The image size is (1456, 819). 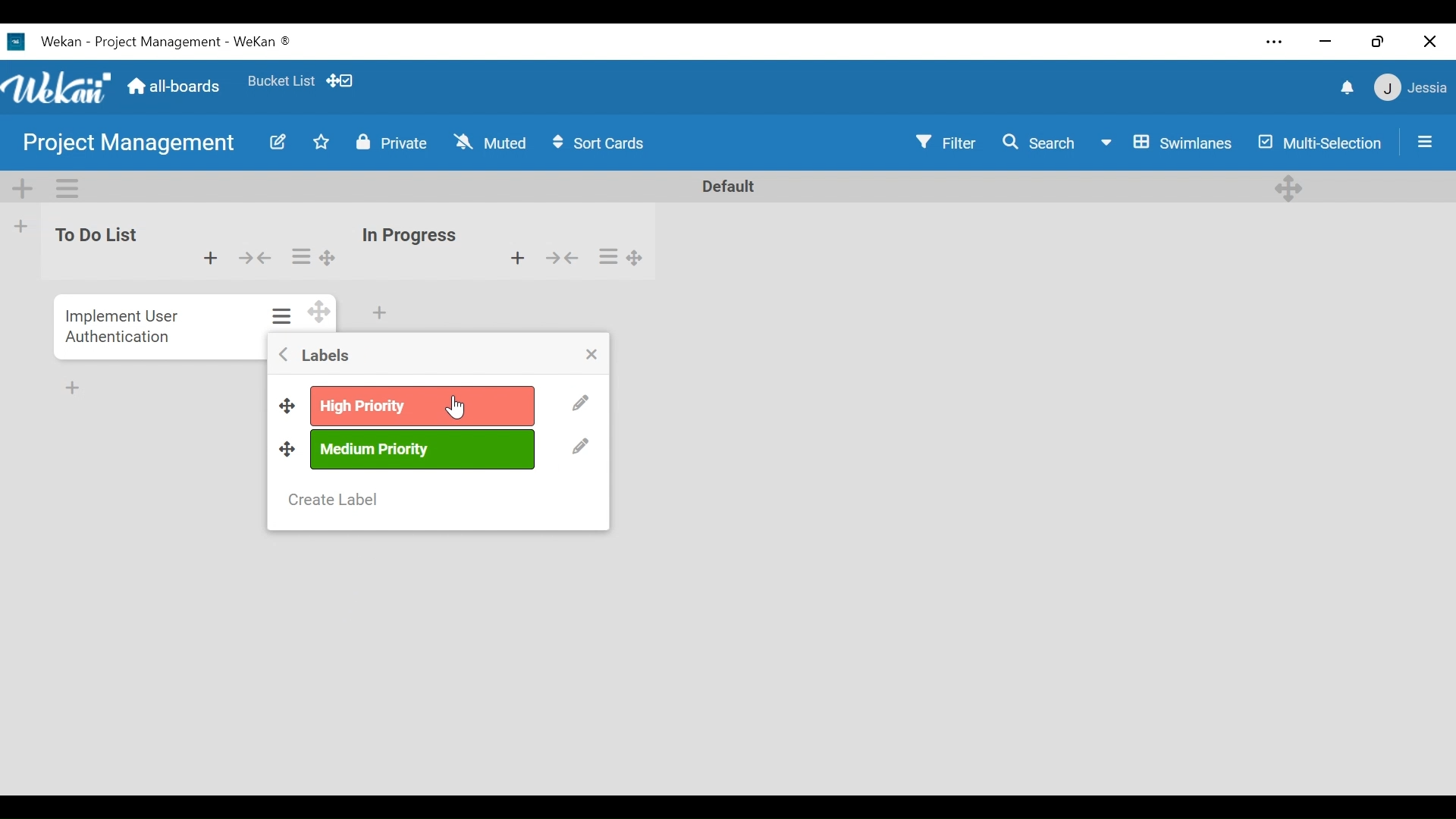 What do you see at coordinates (423, 406) in the screenshot?
I see `High Priority` at bounding box center [423, 406].